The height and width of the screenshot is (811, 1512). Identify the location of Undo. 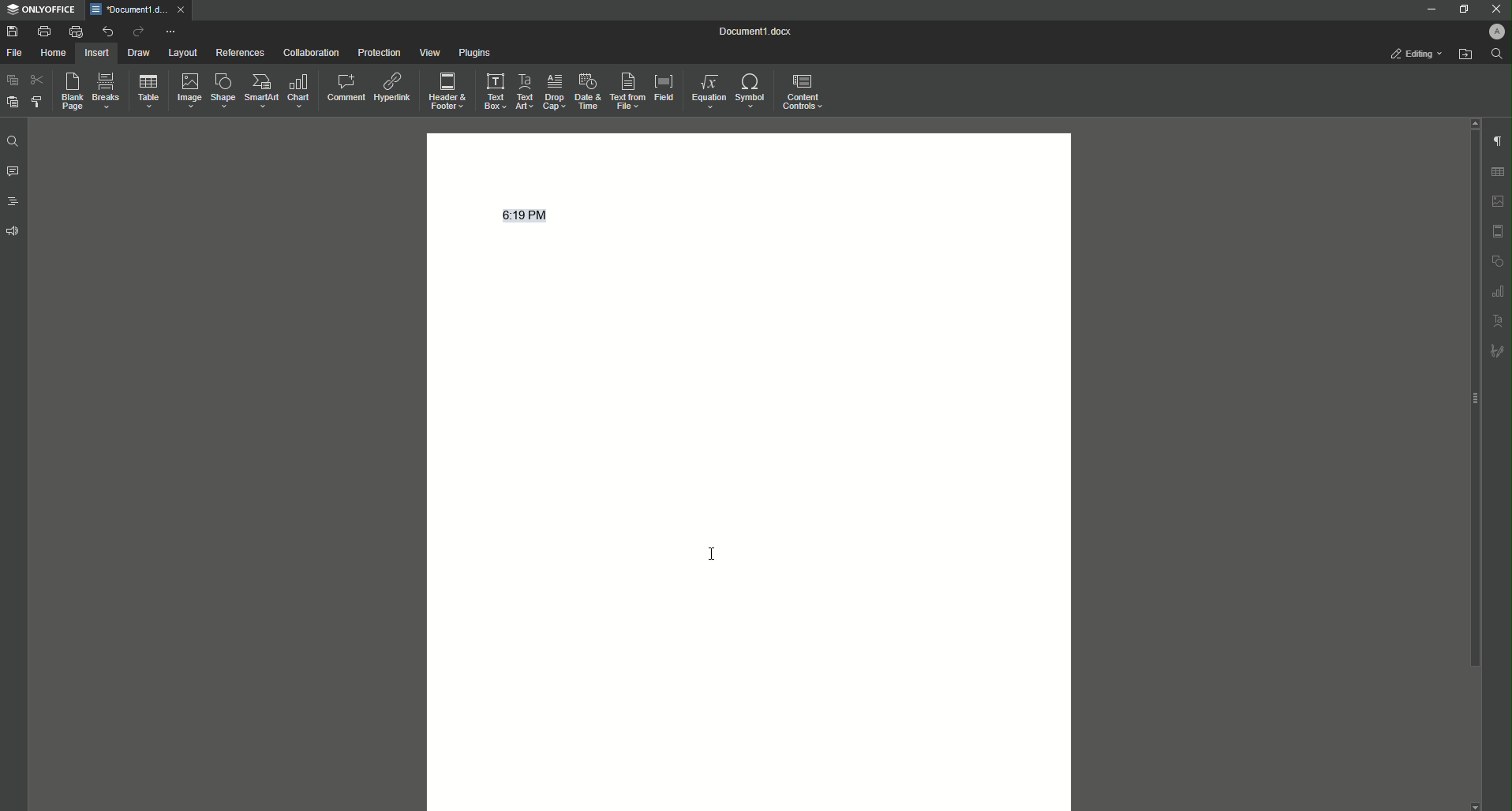
(106, 31).